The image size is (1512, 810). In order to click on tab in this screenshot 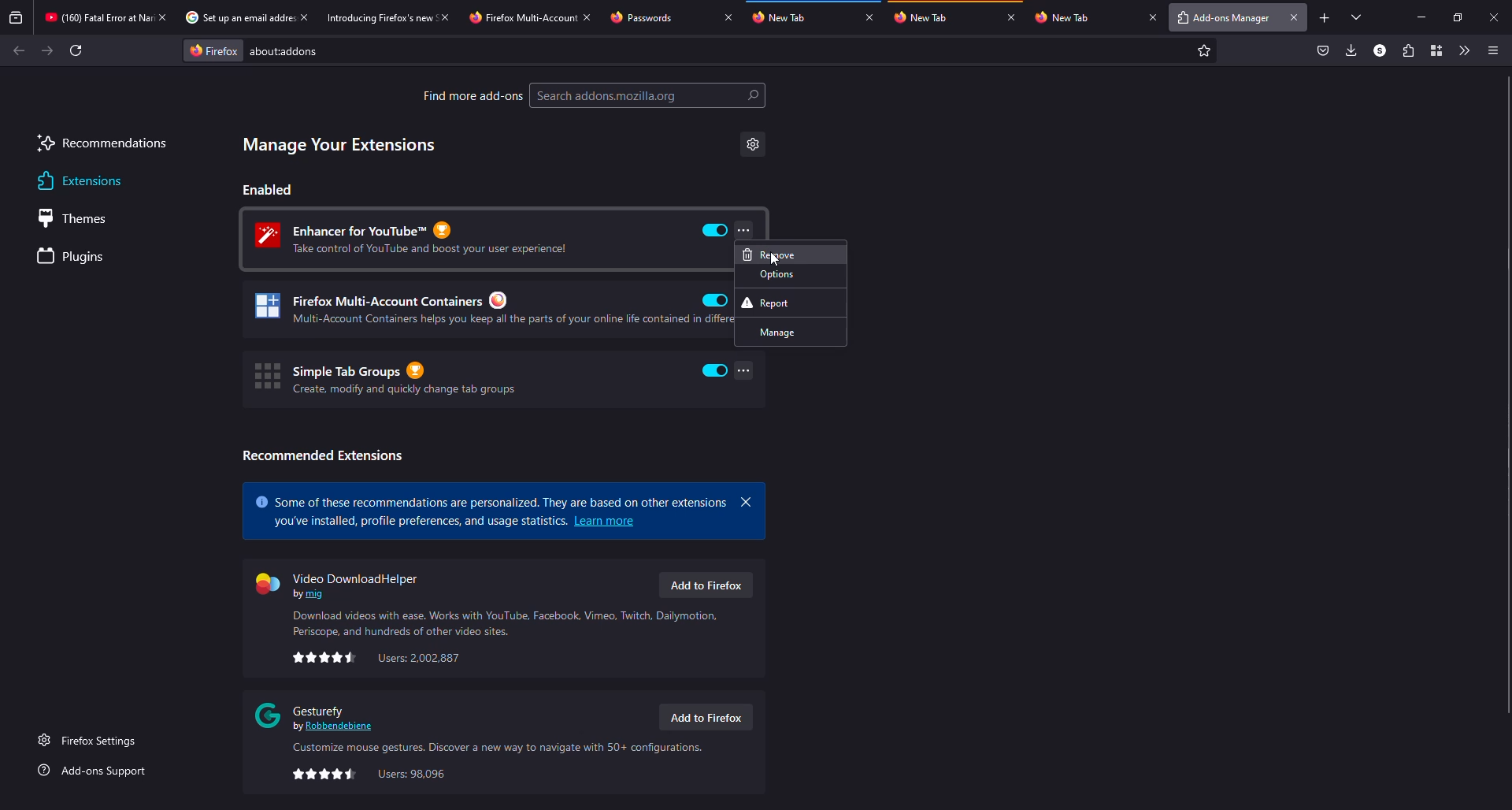, I will do `click(1085, 17)`.